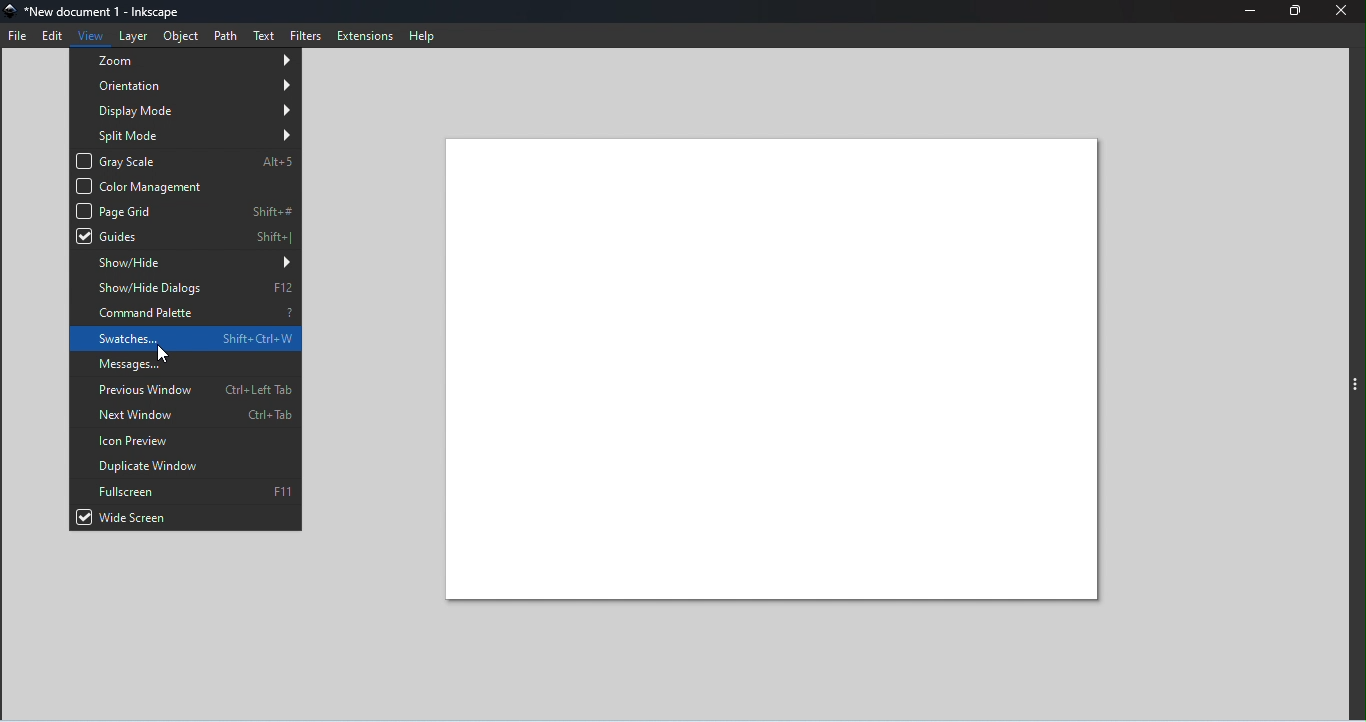 The height and width of the screenshot is (722, 1366). Describe the element at coordinates (184, 134) in the screenshot. I see `Split mode` at that location.